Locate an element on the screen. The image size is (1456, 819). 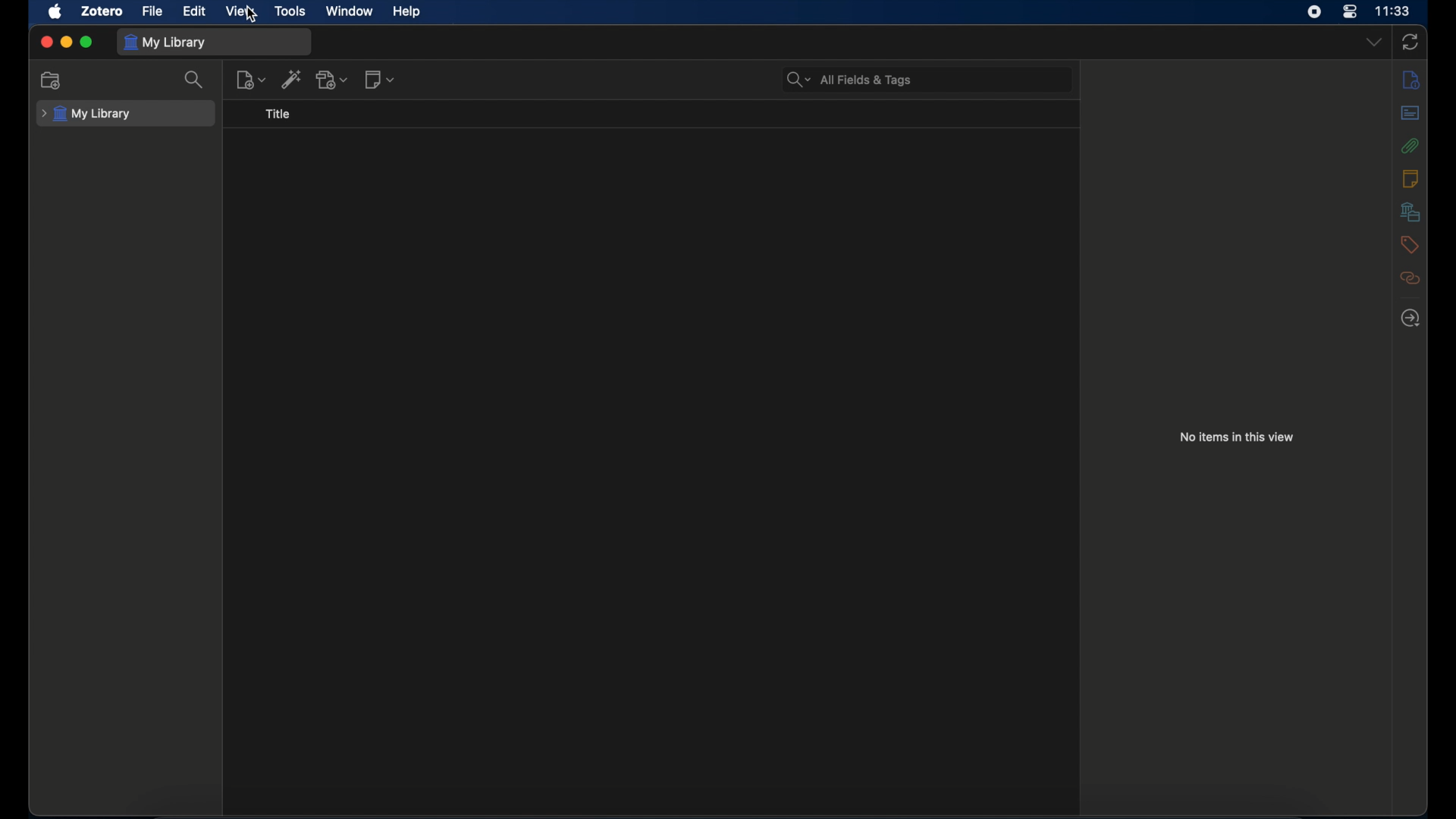
libraries is located at coordinates (1410, 212).